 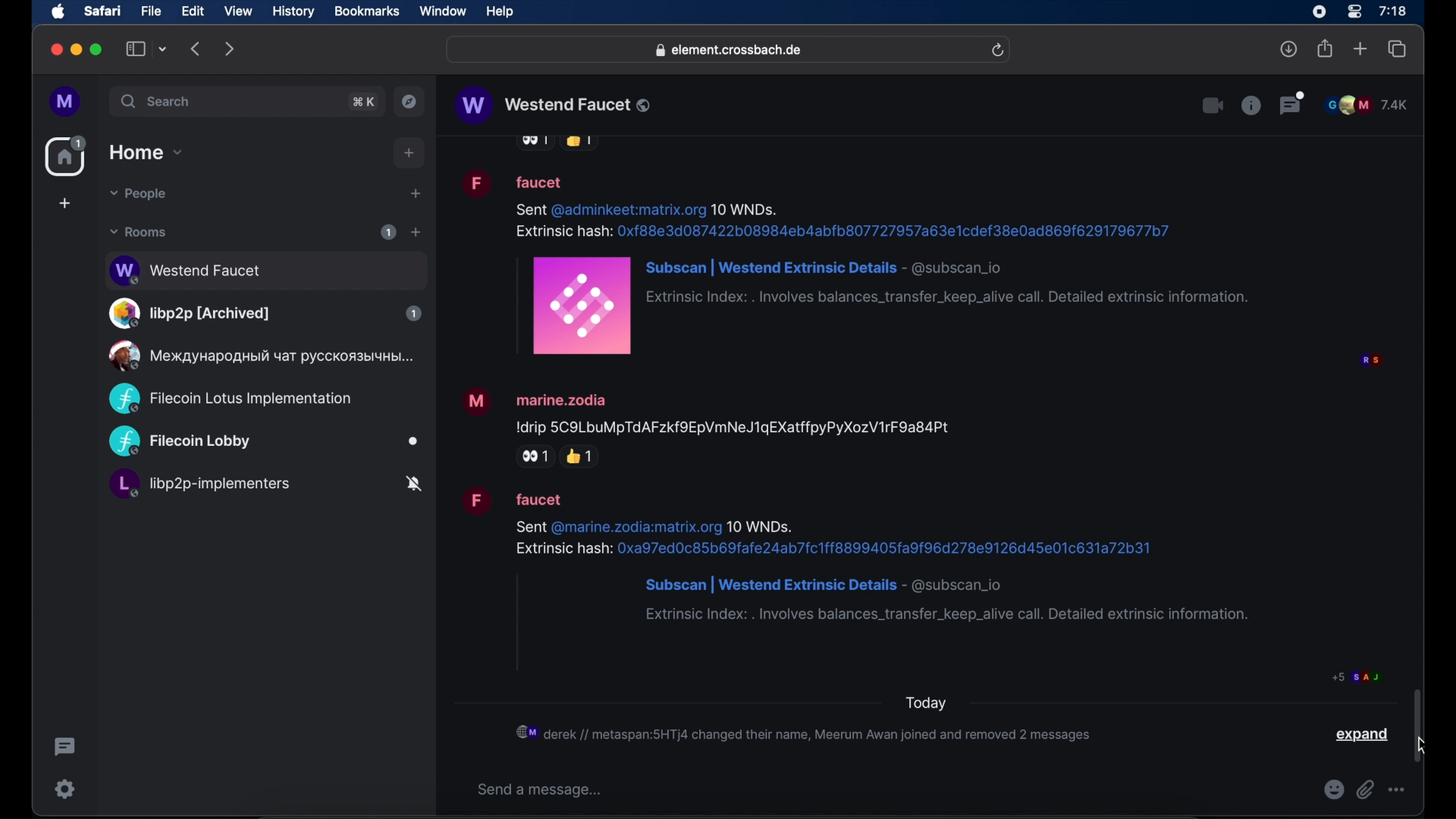 I want to click on show sidebar, so click(x=136, y=49).